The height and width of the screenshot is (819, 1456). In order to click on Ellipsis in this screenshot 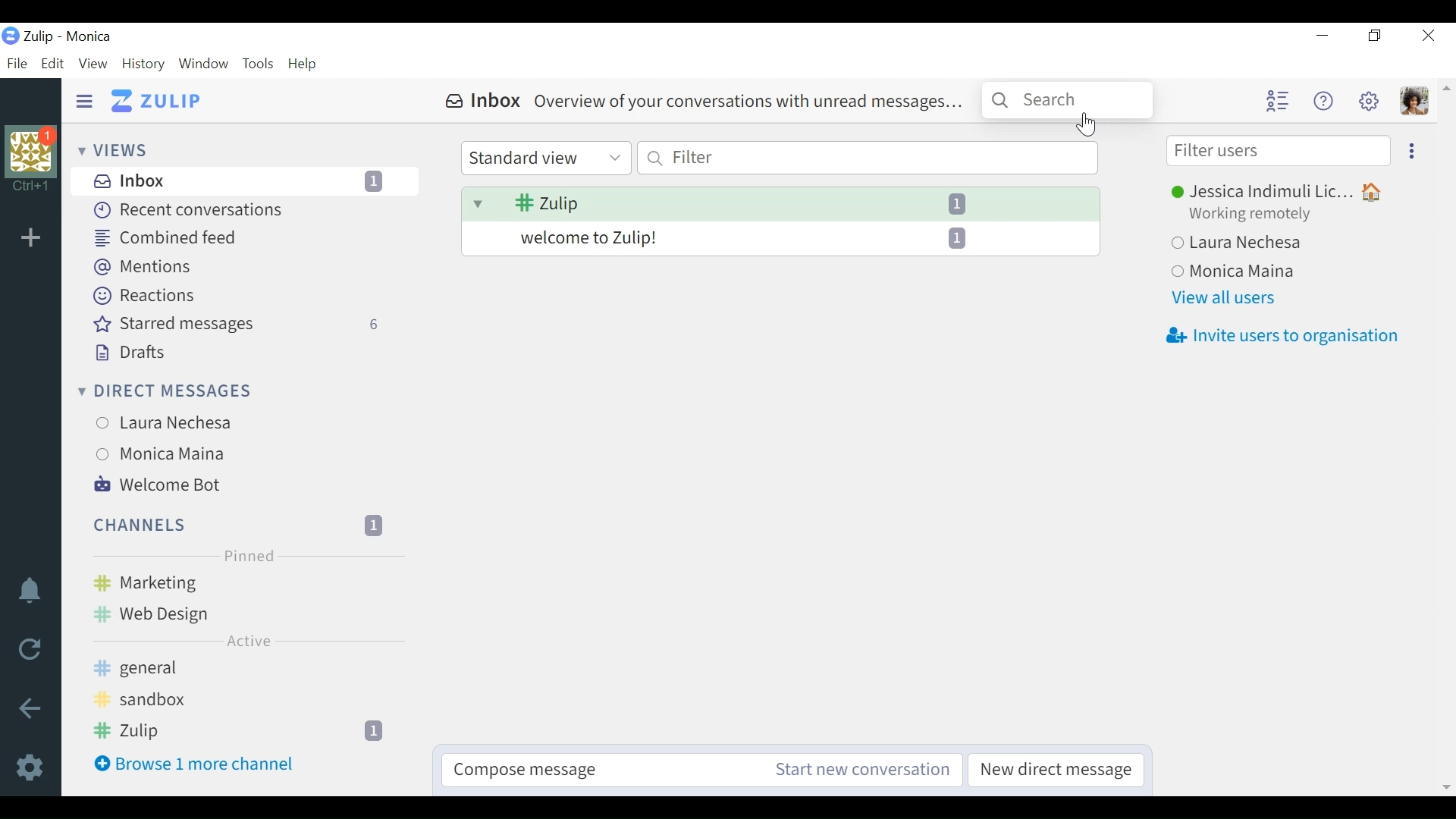, I will do `click(1412, 152)`.